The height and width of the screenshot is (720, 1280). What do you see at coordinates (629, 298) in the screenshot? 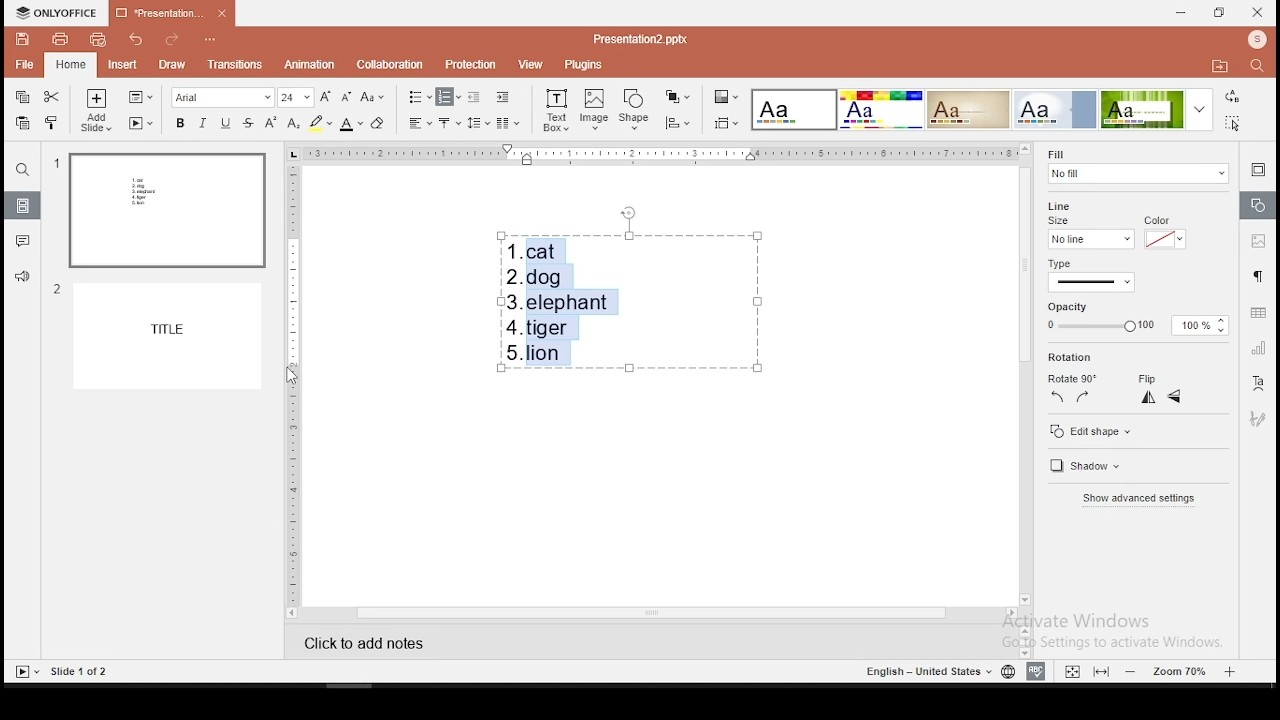
I see `text box` at bounding box center [629, 298].